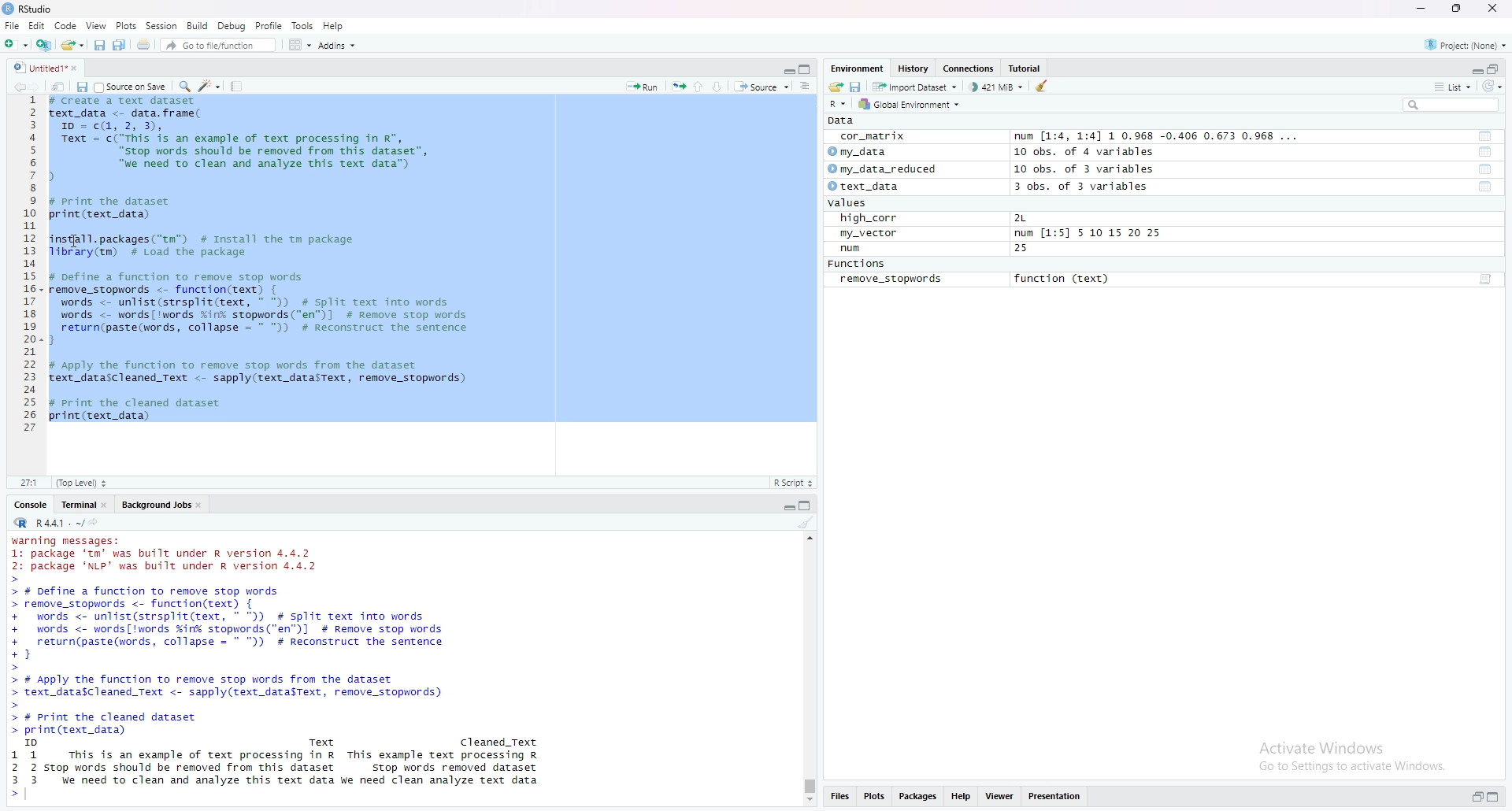  Describe the element at coordinates (788, 71) in the screenshot. I see `expand` at that location.